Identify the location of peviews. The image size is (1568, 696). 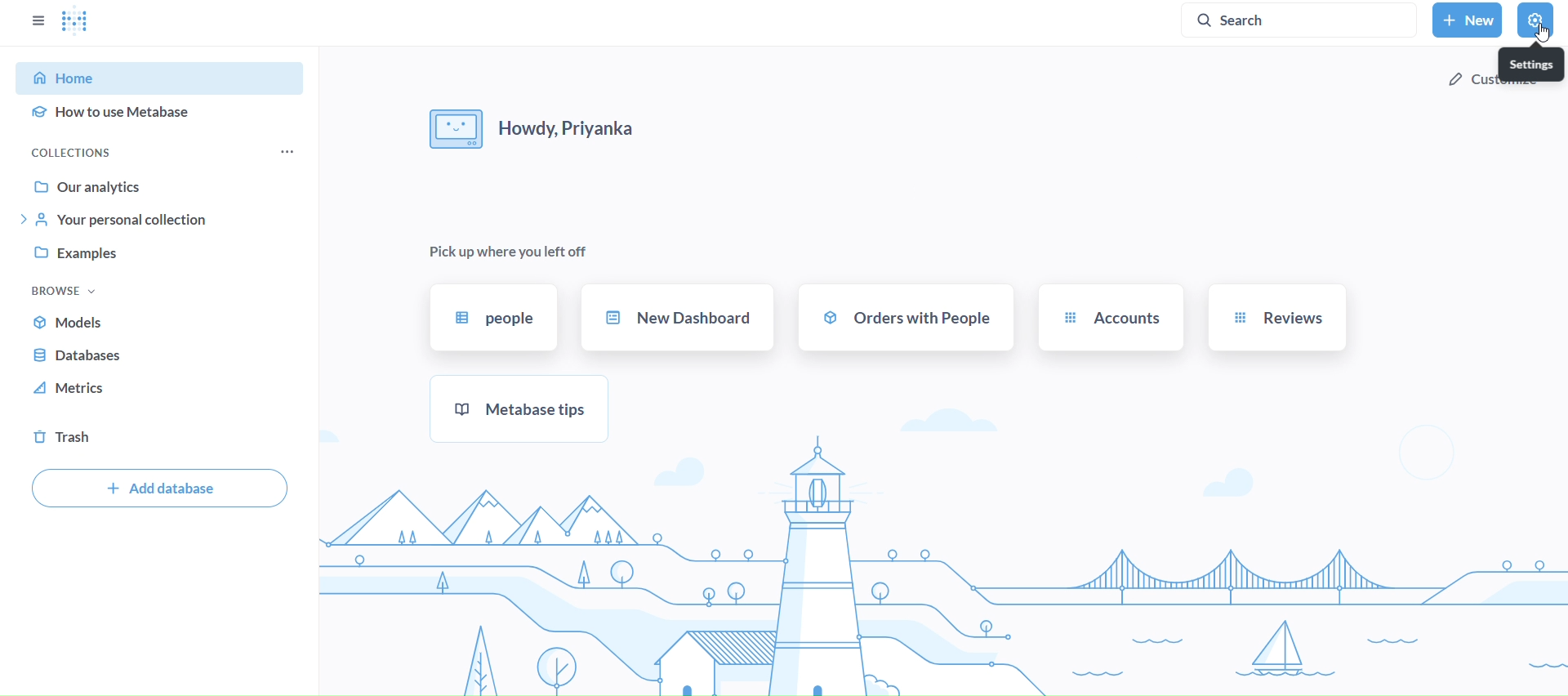
(1276, 317).